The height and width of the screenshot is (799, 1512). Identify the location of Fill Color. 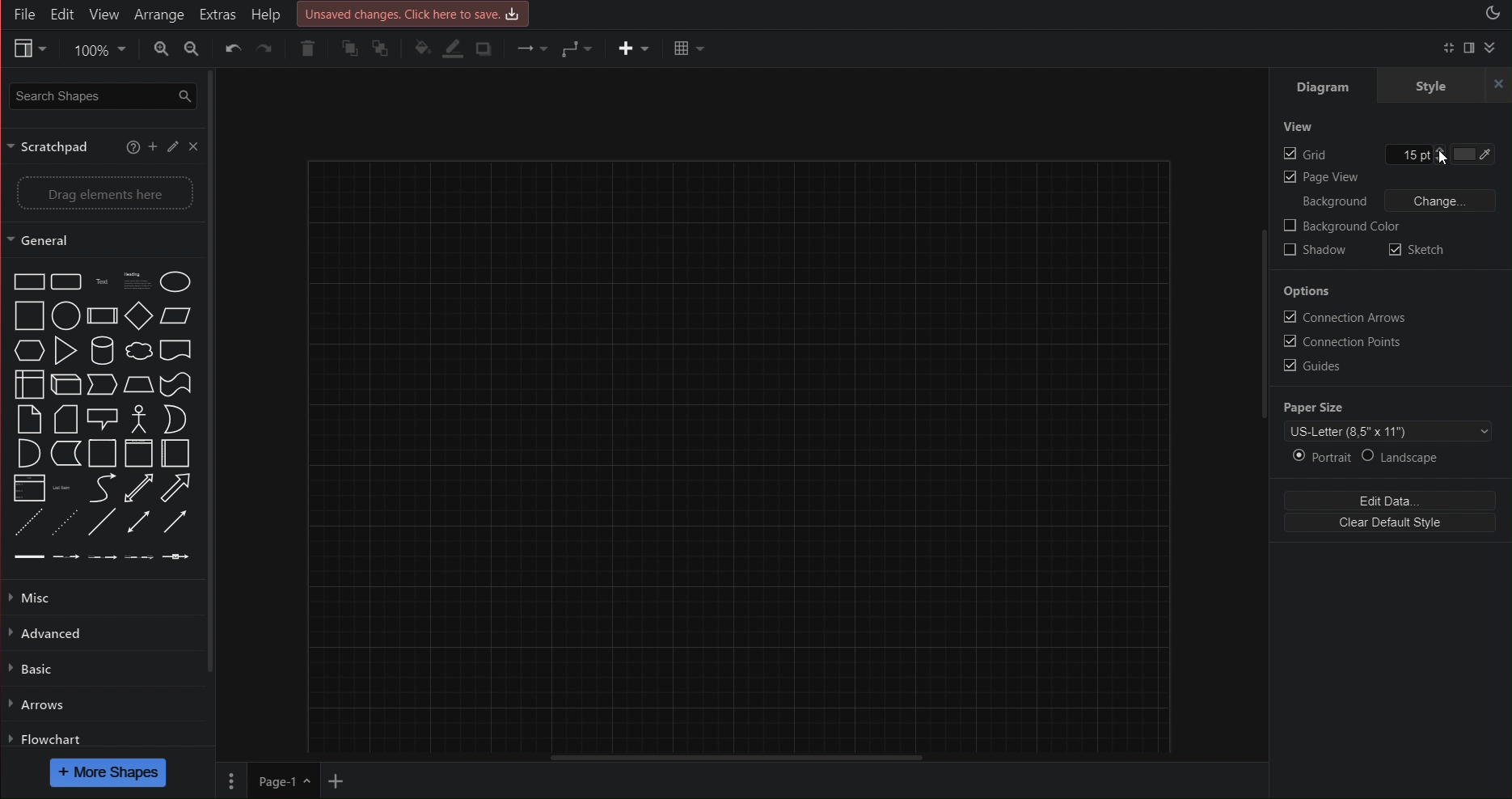
(422, 50).